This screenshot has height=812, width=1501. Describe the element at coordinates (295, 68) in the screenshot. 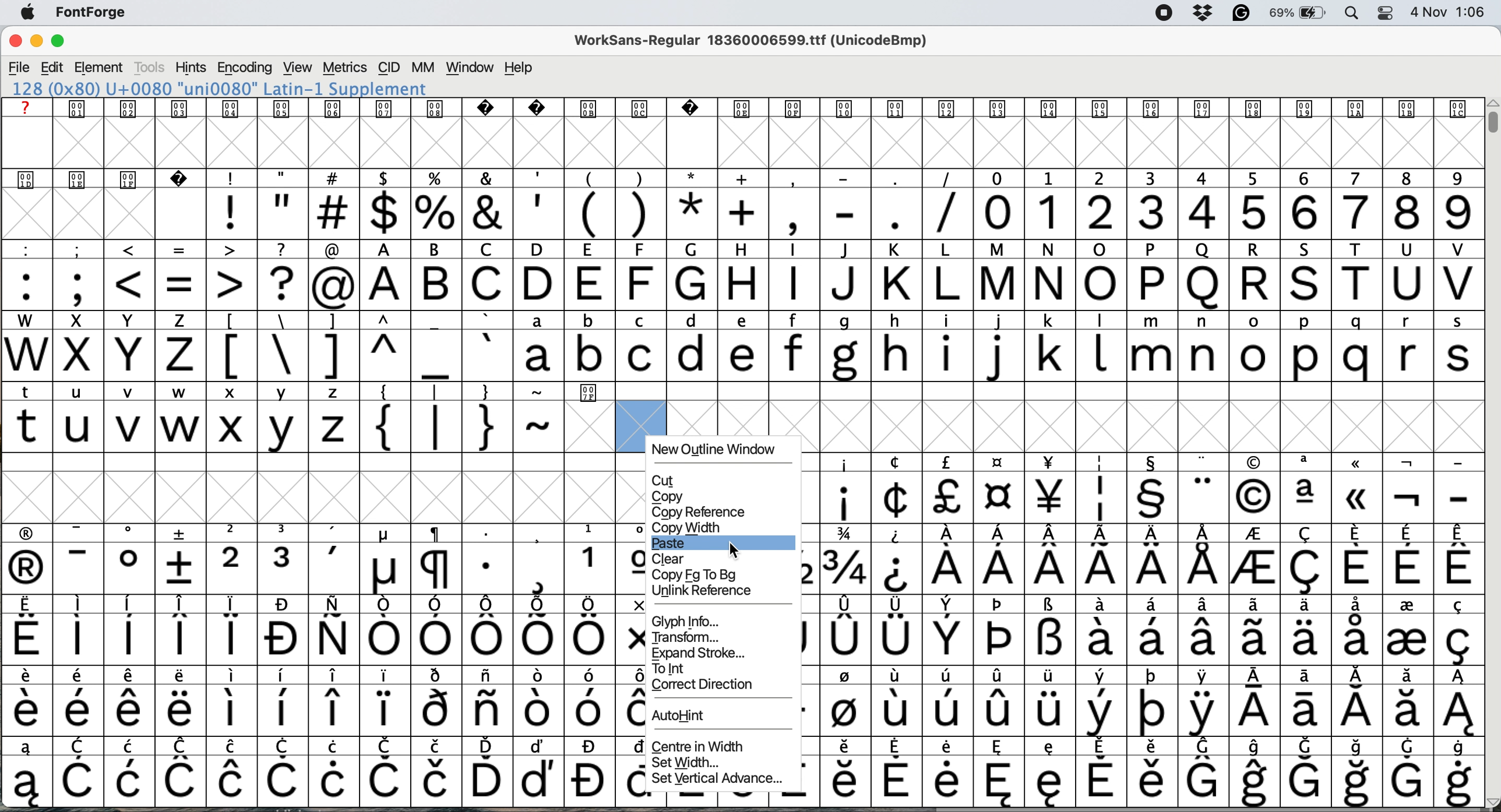

I see `view` at that location.